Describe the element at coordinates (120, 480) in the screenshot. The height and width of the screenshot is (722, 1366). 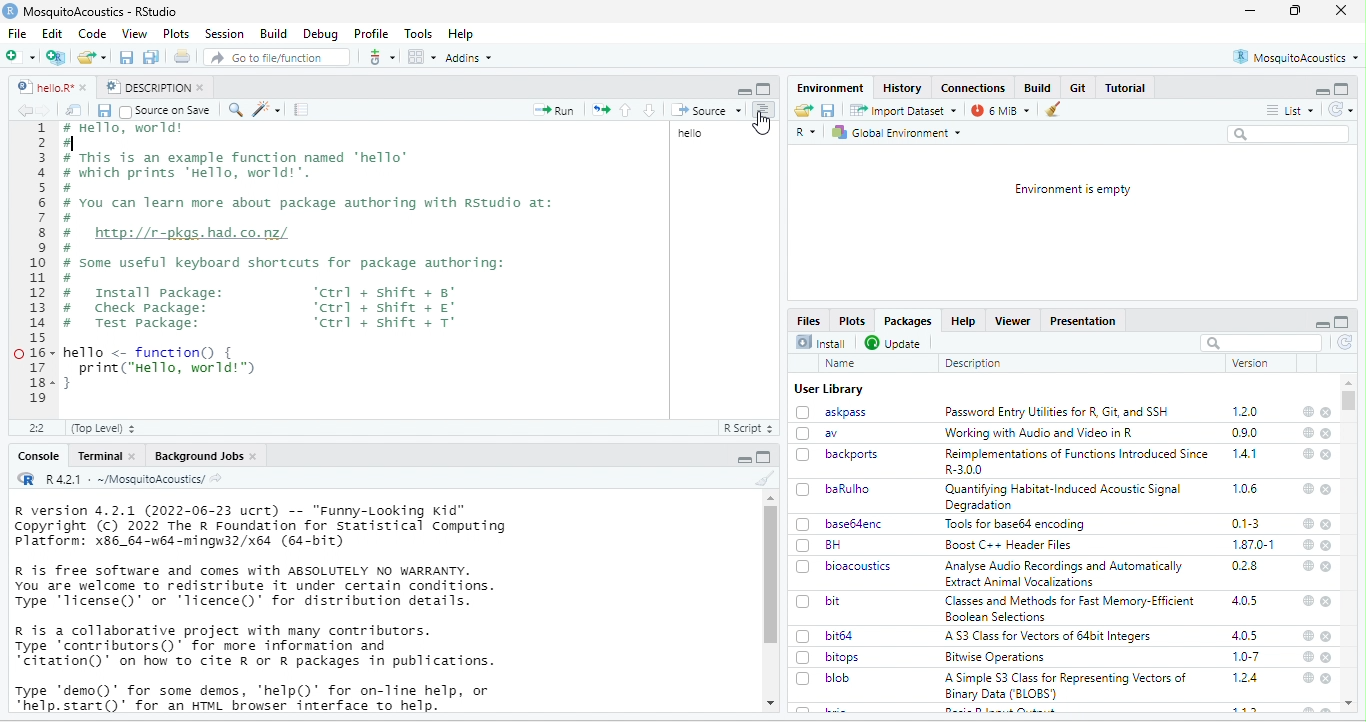
I see `R 4.2.1 : ~/MosquitoAcoustics/` at that location.